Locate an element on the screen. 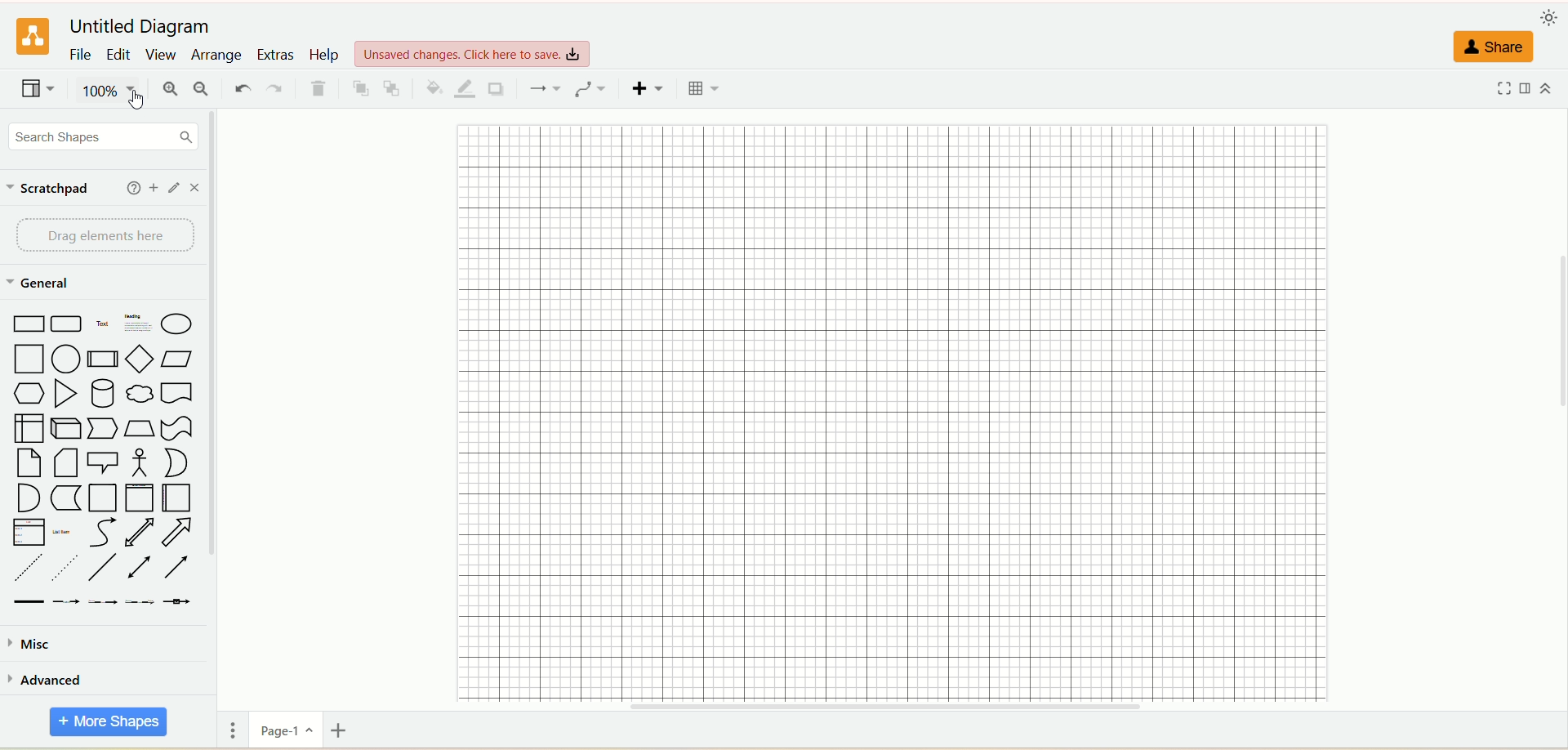  to front is located at coordinates (361, 91).